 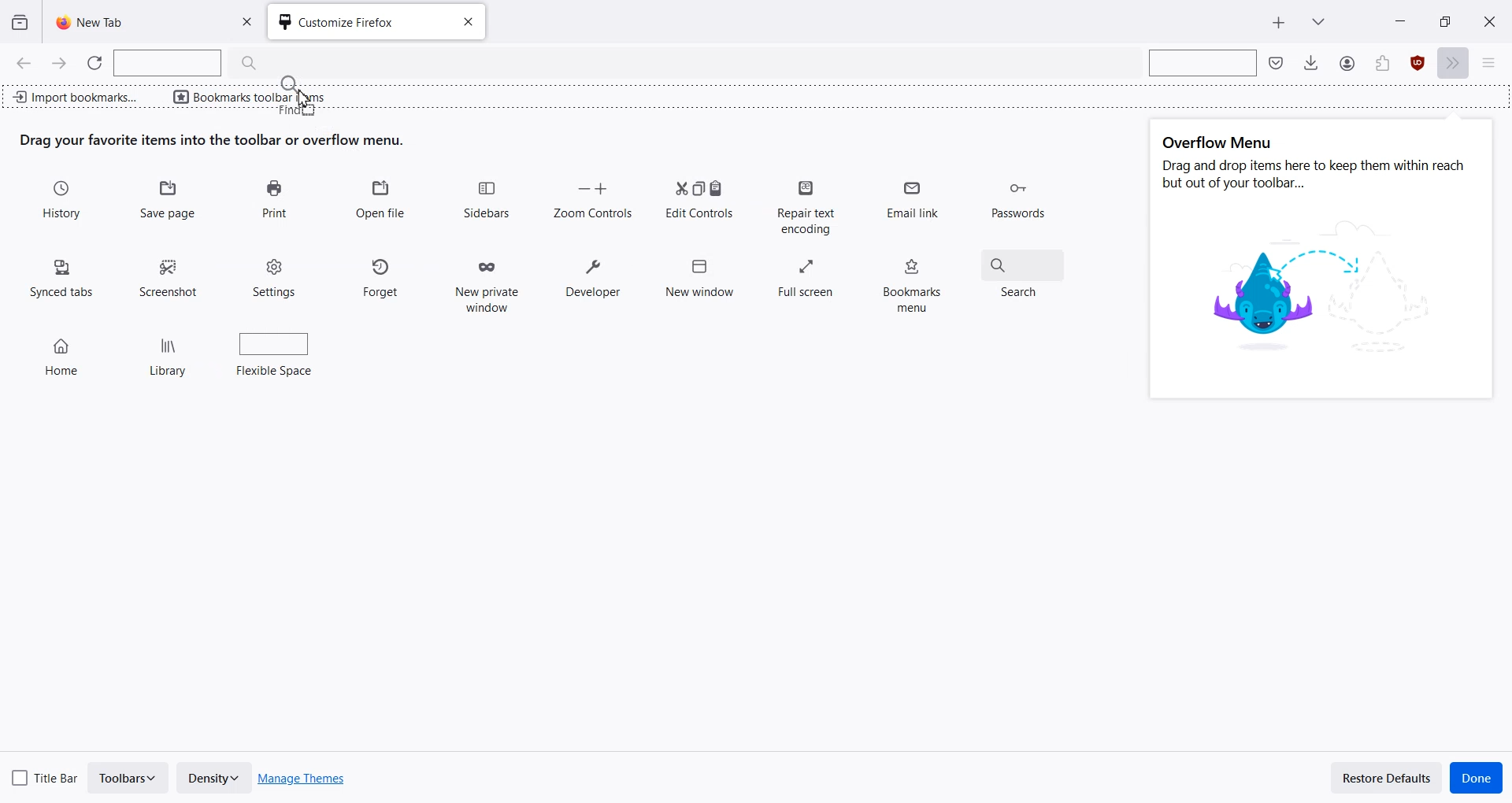 What do you see at coordinates (357, 23) in the screenshot?
I see `Customize Firefox` at bounding box center [357, 23].